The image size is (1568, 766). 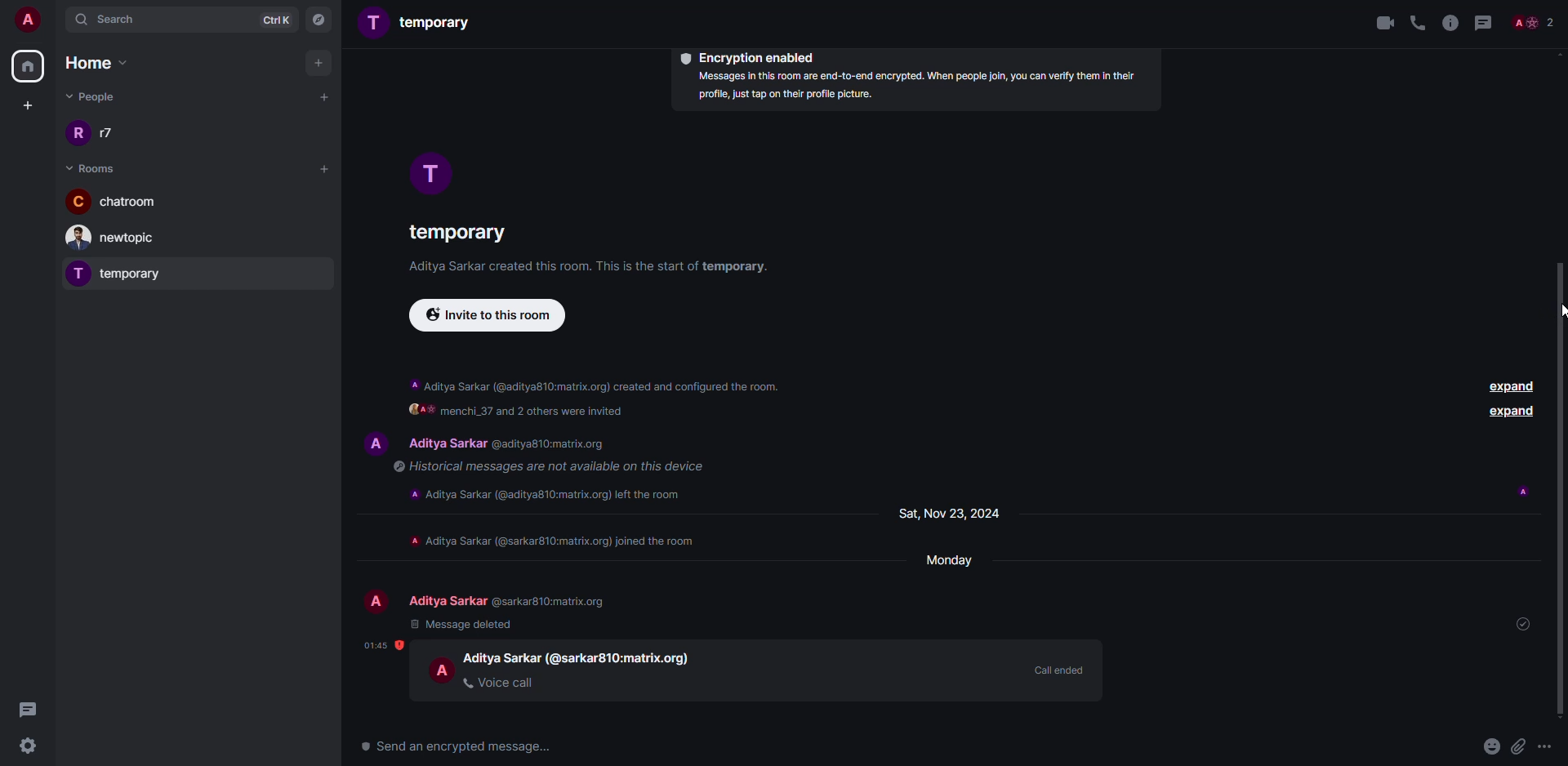 What do you see at coordinates (1537, 23) in the screenshot?
I see `people` at bounding box center [1537, 23].